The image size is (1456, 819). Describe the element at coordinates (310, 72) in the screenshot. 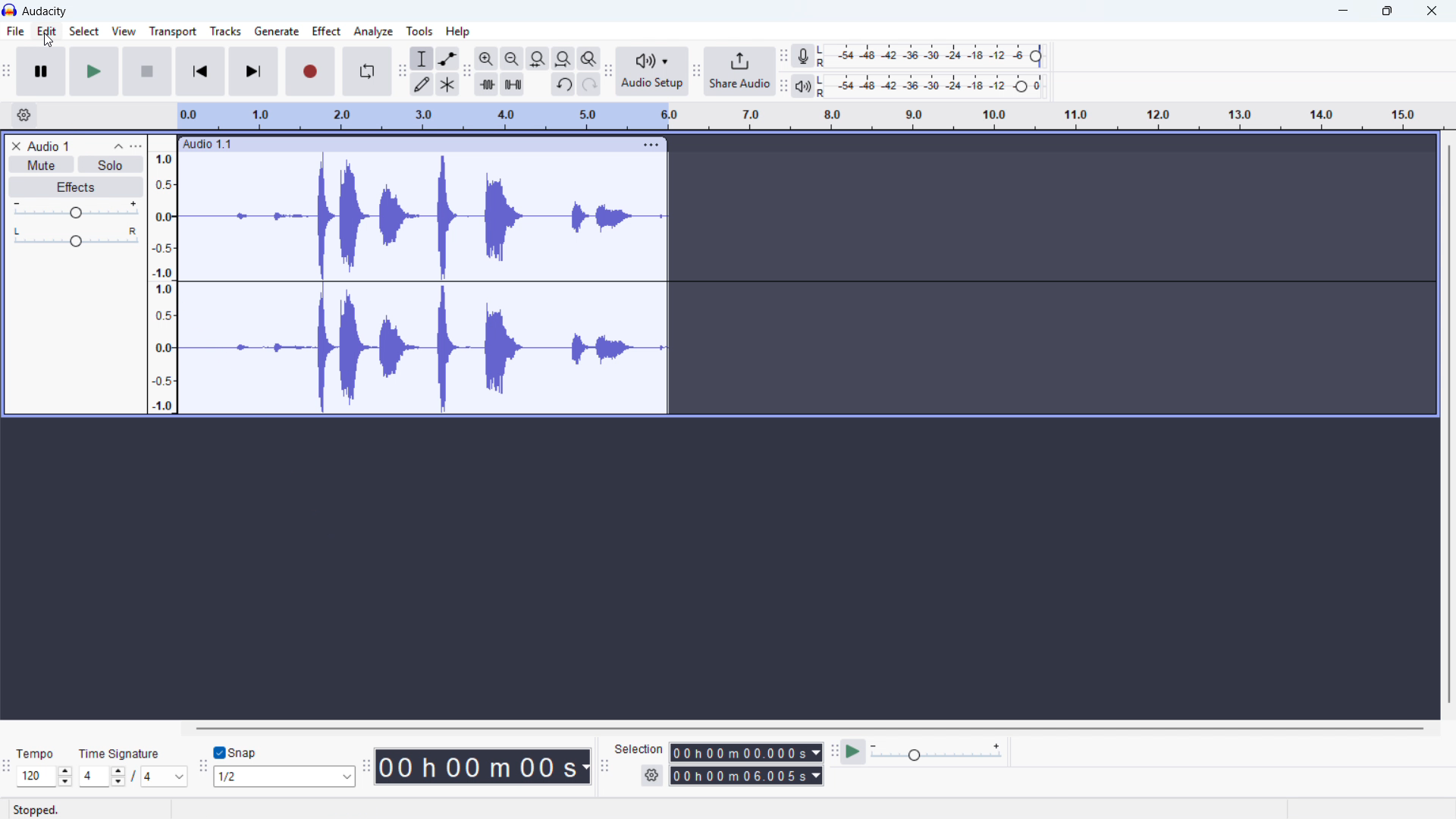

I see `record` at that location.